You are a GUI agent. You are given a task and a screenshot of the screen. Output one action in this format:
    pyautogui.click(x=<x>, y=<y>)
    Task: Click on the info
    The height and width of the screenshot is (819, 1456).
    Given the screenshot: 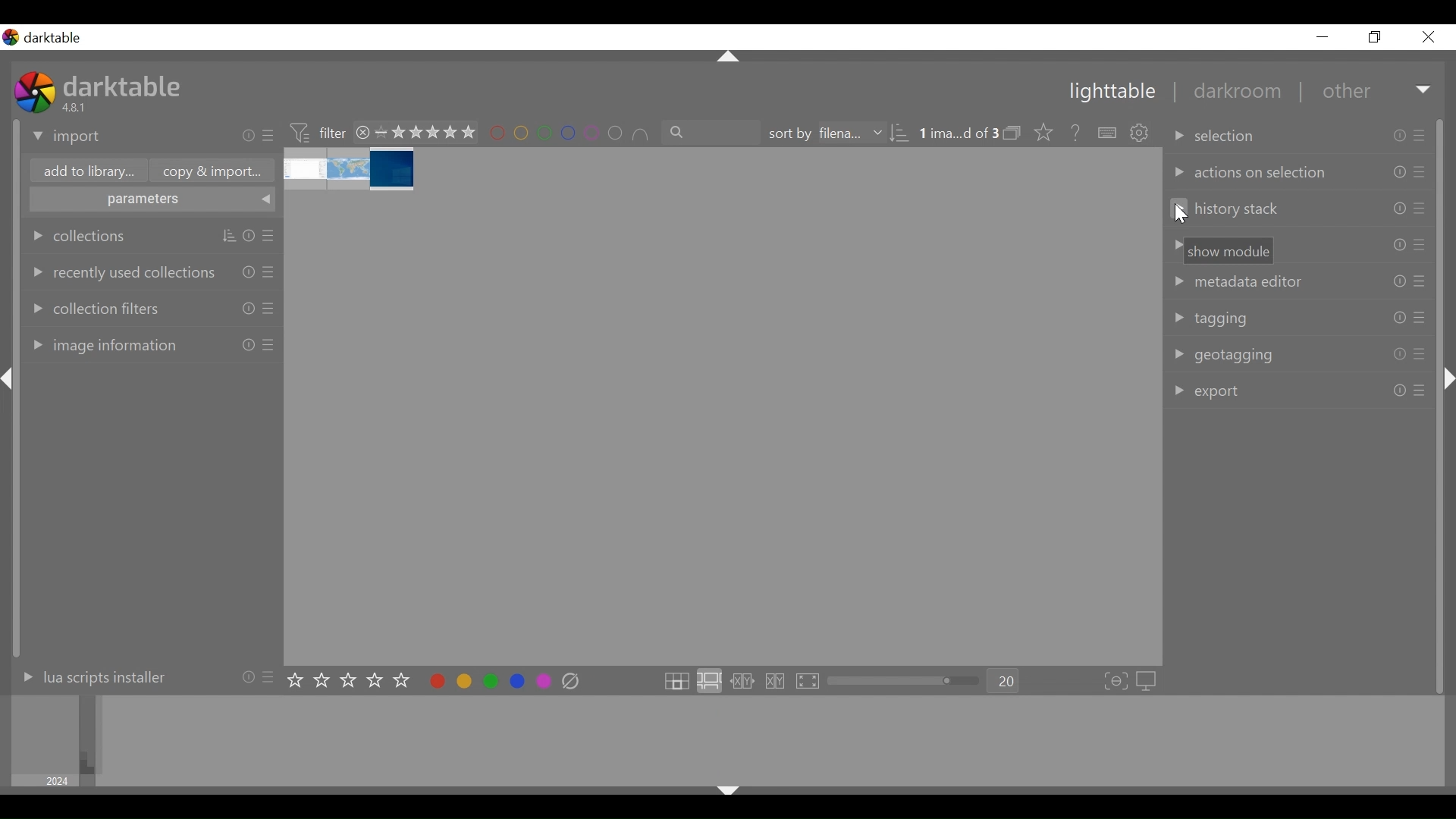 What is the action you would take?
    pyautogui.click(x=1398, y=391)
    